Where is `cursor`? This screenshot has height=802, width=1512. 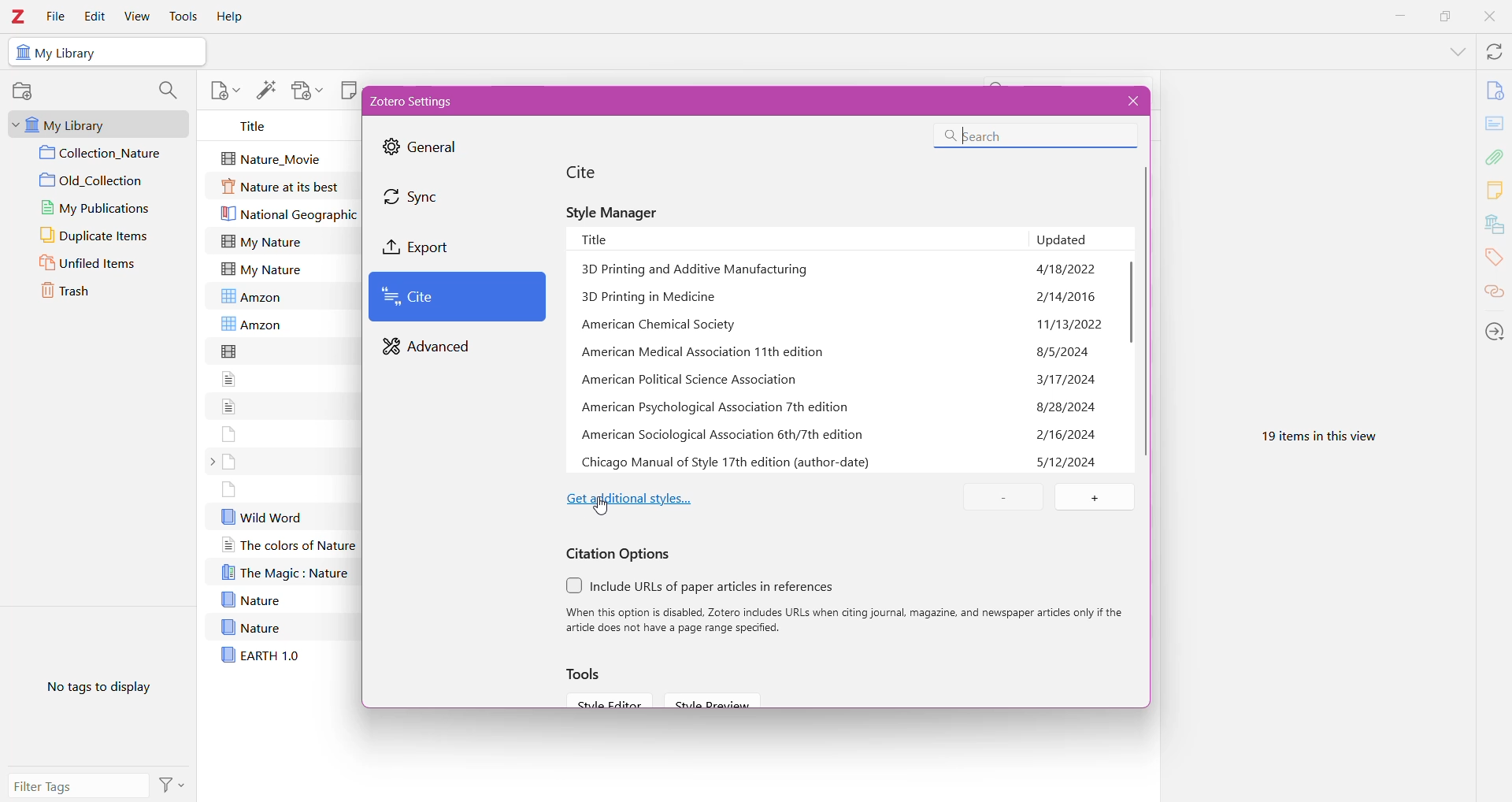 cursor is located at coordinates (604, 508).